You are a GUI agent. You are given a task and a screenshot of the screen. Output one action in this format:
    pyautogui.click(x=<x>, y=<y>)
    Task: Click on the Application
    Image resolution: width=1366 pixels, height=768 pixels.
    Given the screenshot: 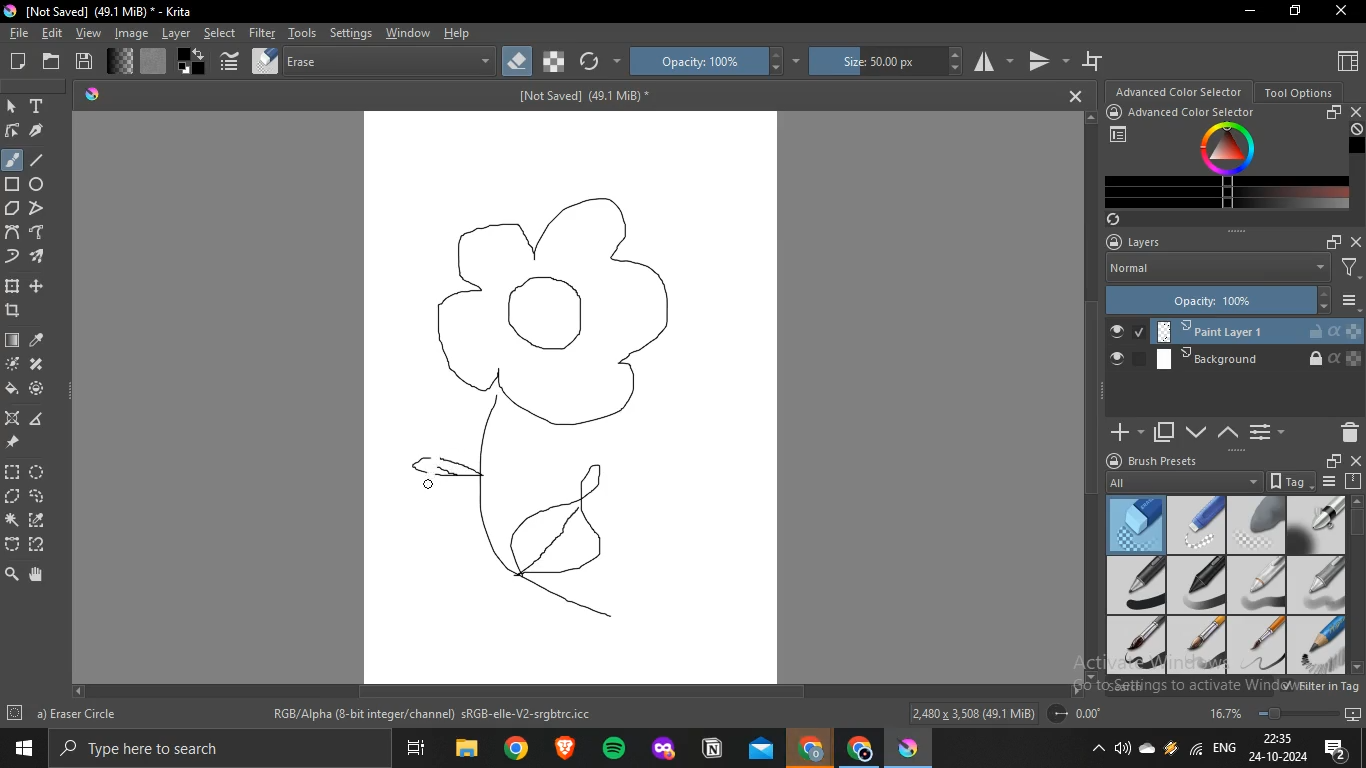 What is the action you would take?
    pyautogui.click(x=516, y=749)
    